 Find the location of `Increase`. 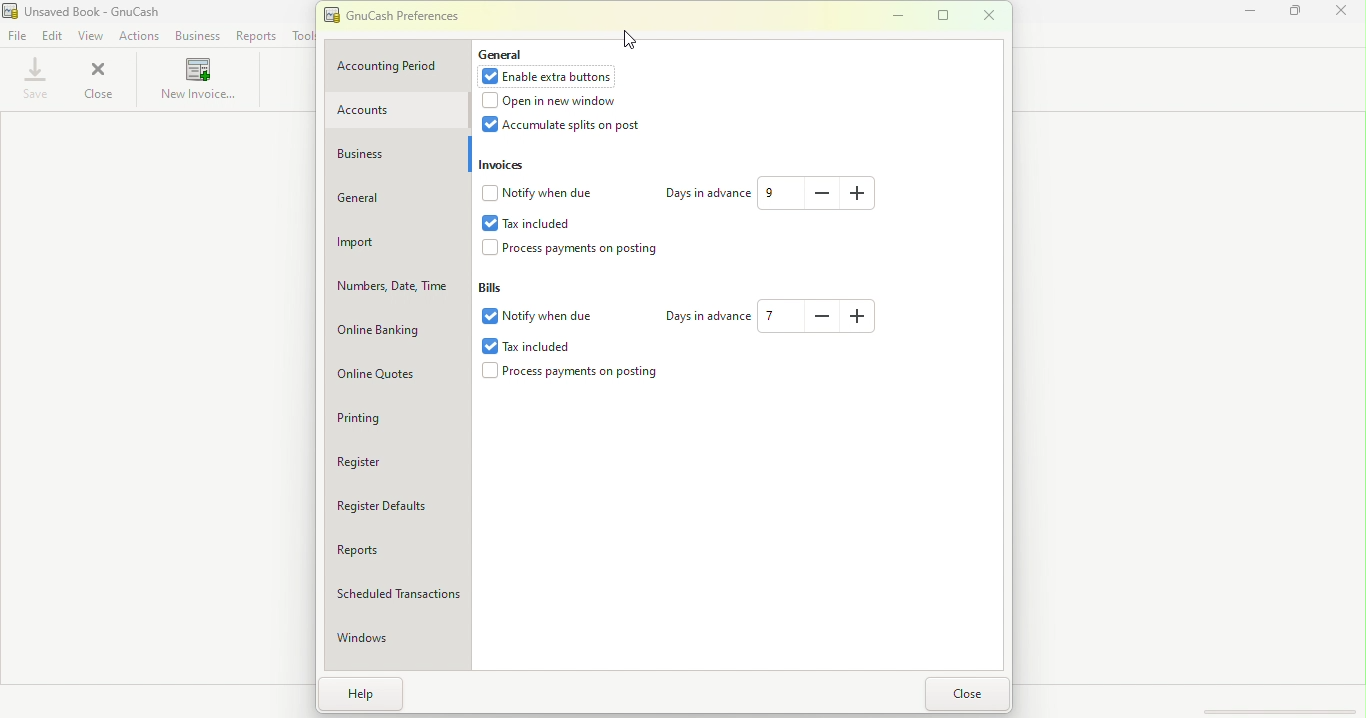

Increase is located at coordinates (862, 317).